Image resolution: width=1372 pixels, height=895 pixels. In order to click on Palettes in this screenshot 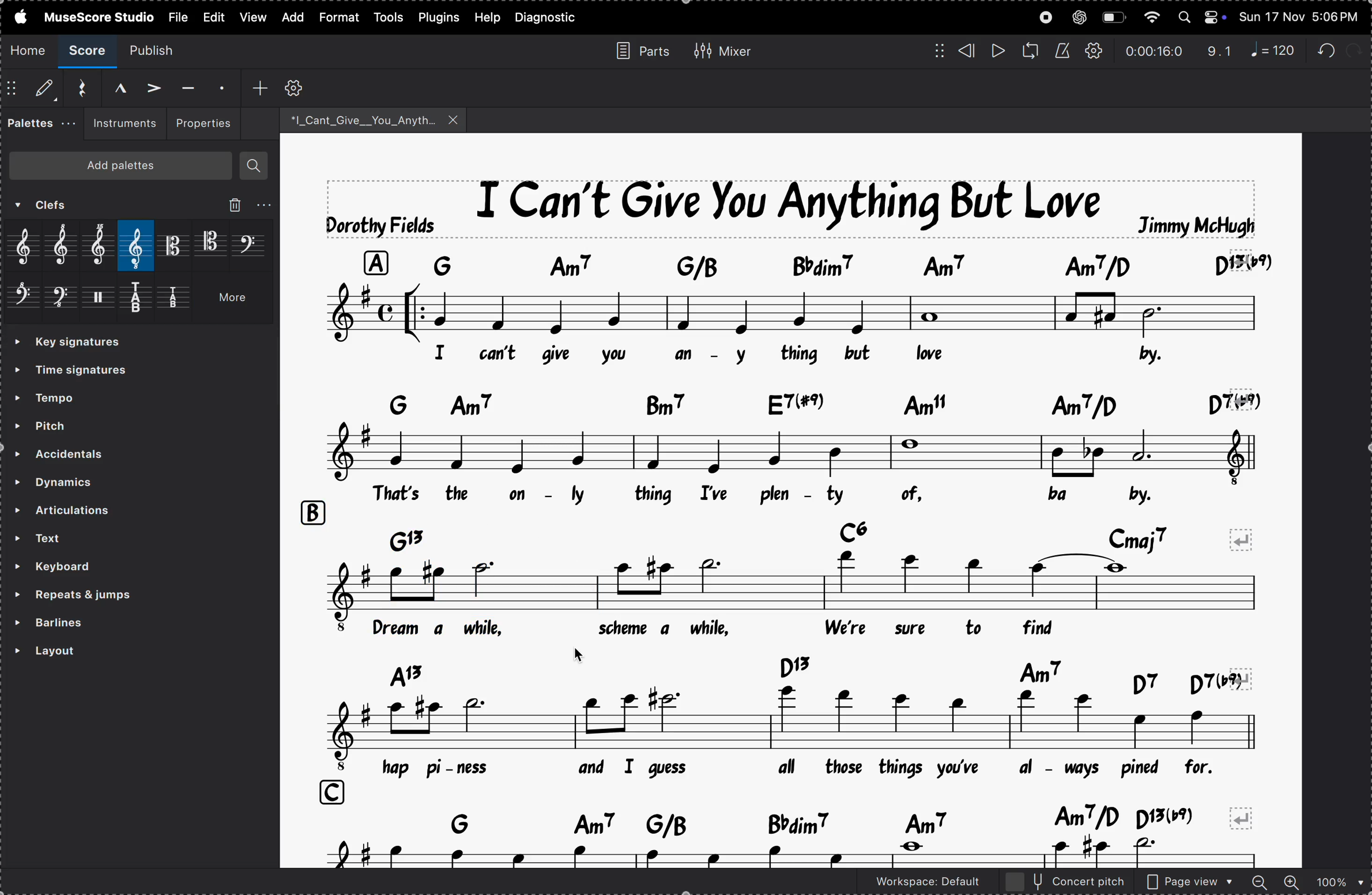, I will do `click(32, 126)`.